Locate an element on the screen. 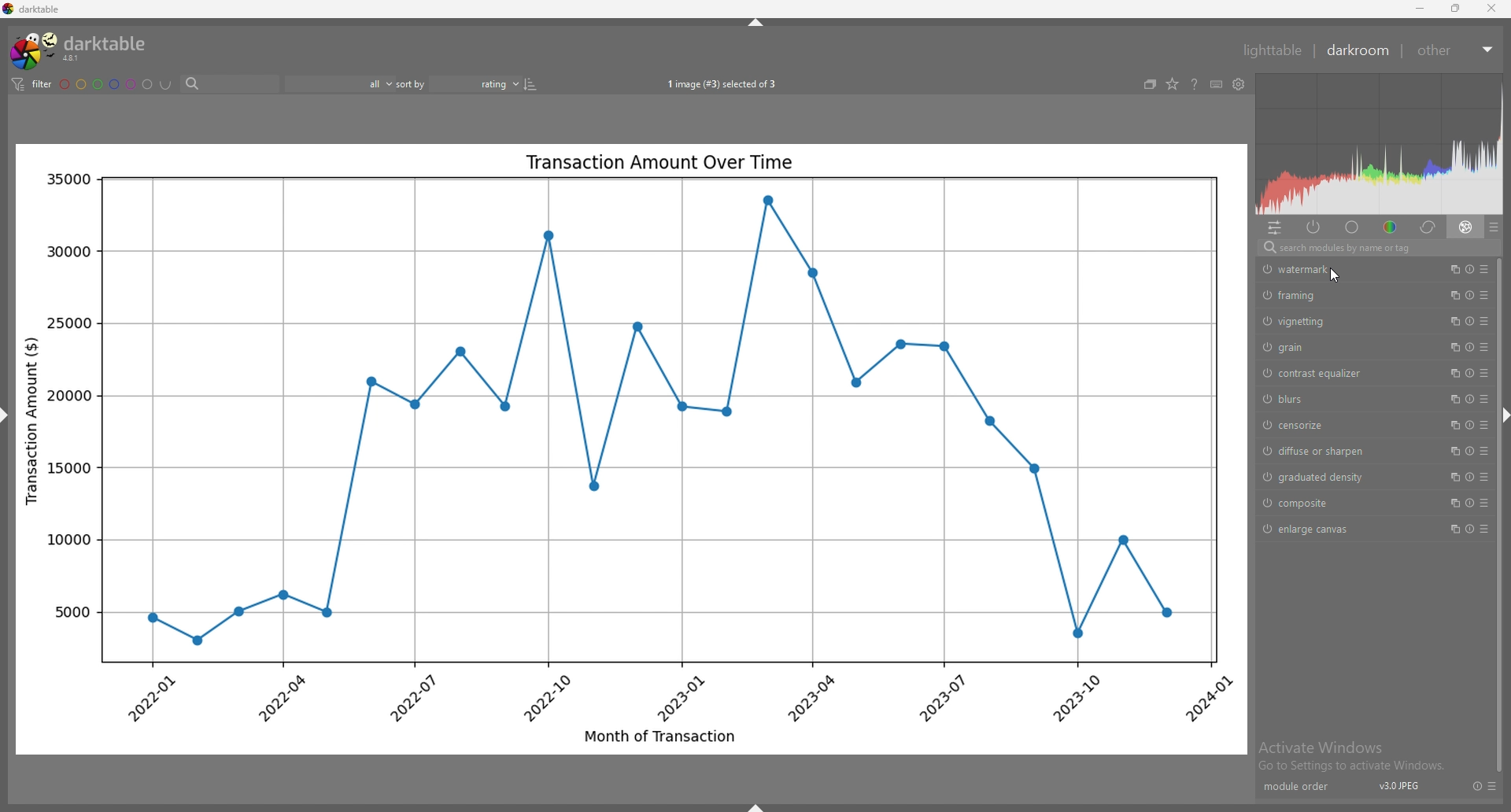  reset is located at coordinates (1471, 399).